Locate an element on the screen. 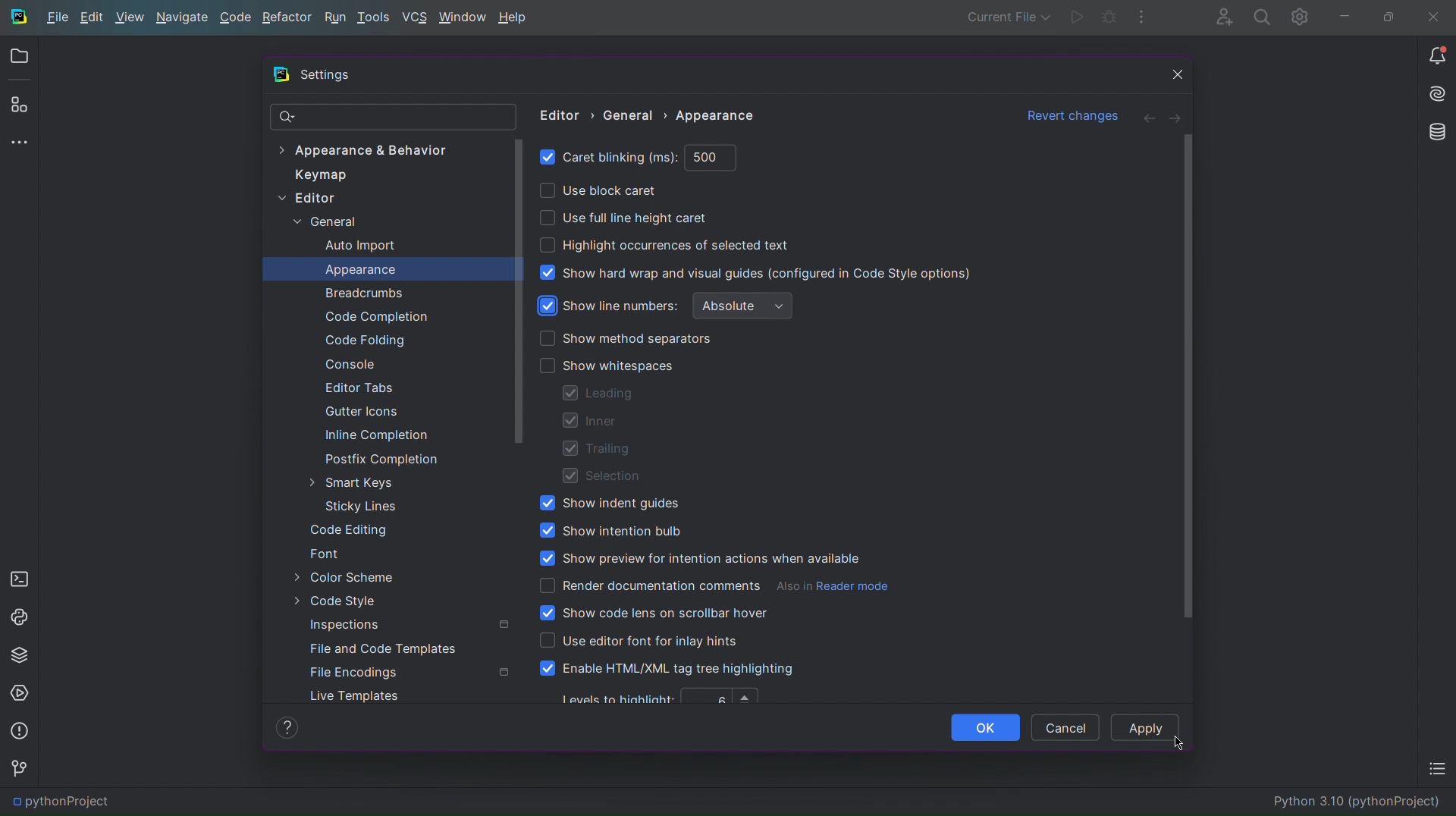  Python 3.10 (pythonProject) is located at coordinates (1364, 800).